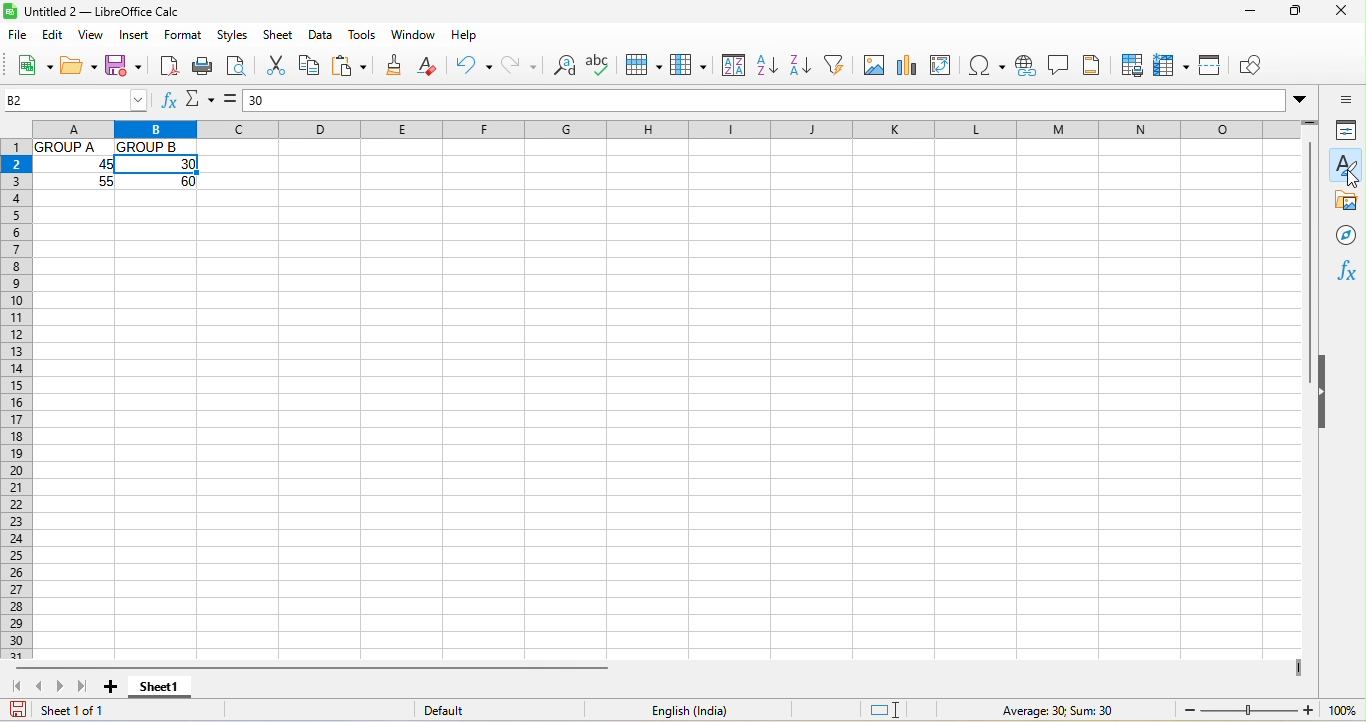 This screenshot has height=722, width=1366. What do you see at coordinates (1353, 180) in the screenshot?
I see `cursor movement` at bounding box center [1353, 180].